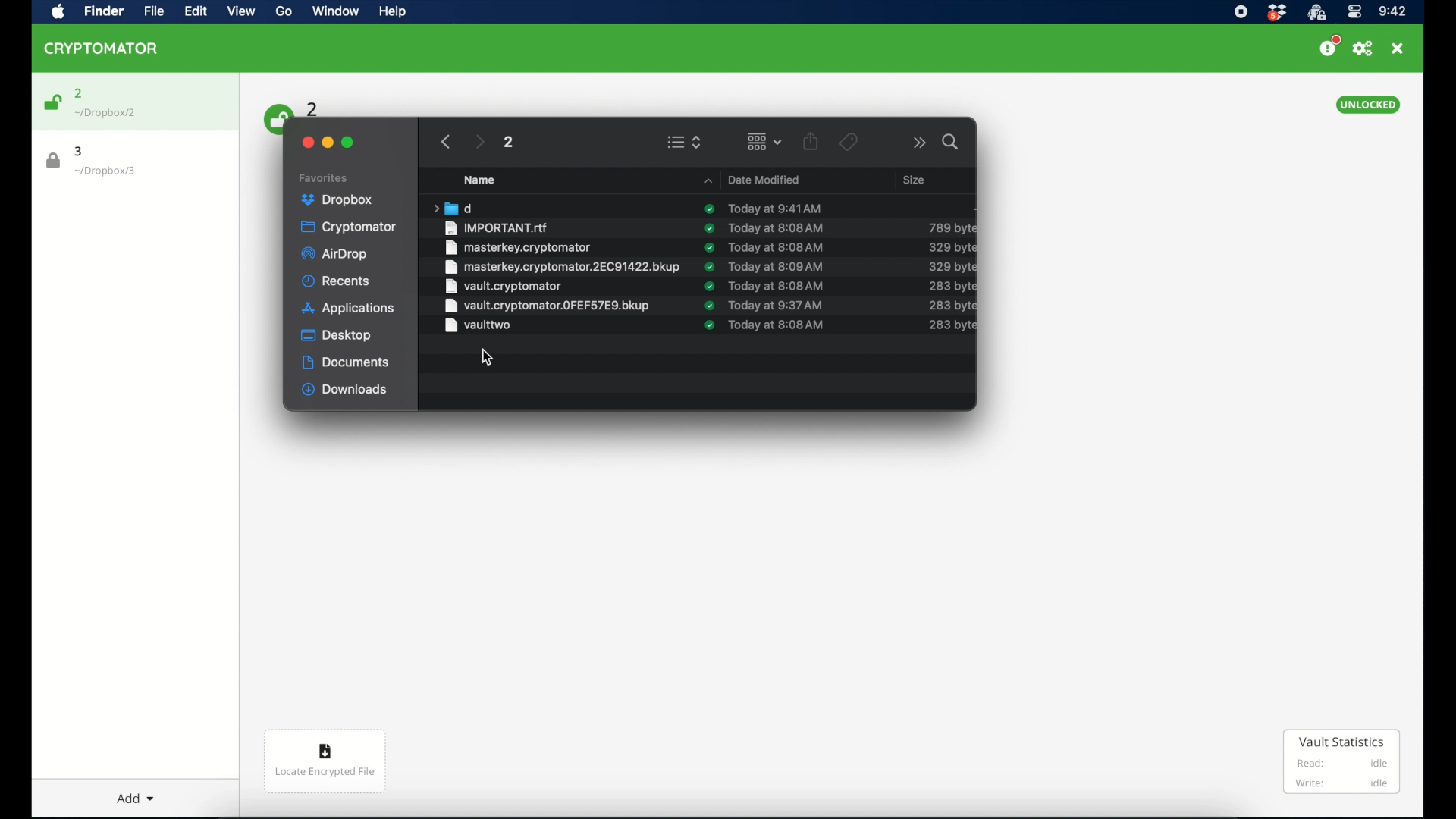 This screenshot has height=819, width=1456. What do you see at coordinates (348, 143) in the screenshot?
I see `maximize` at bounding box center [348, 143].